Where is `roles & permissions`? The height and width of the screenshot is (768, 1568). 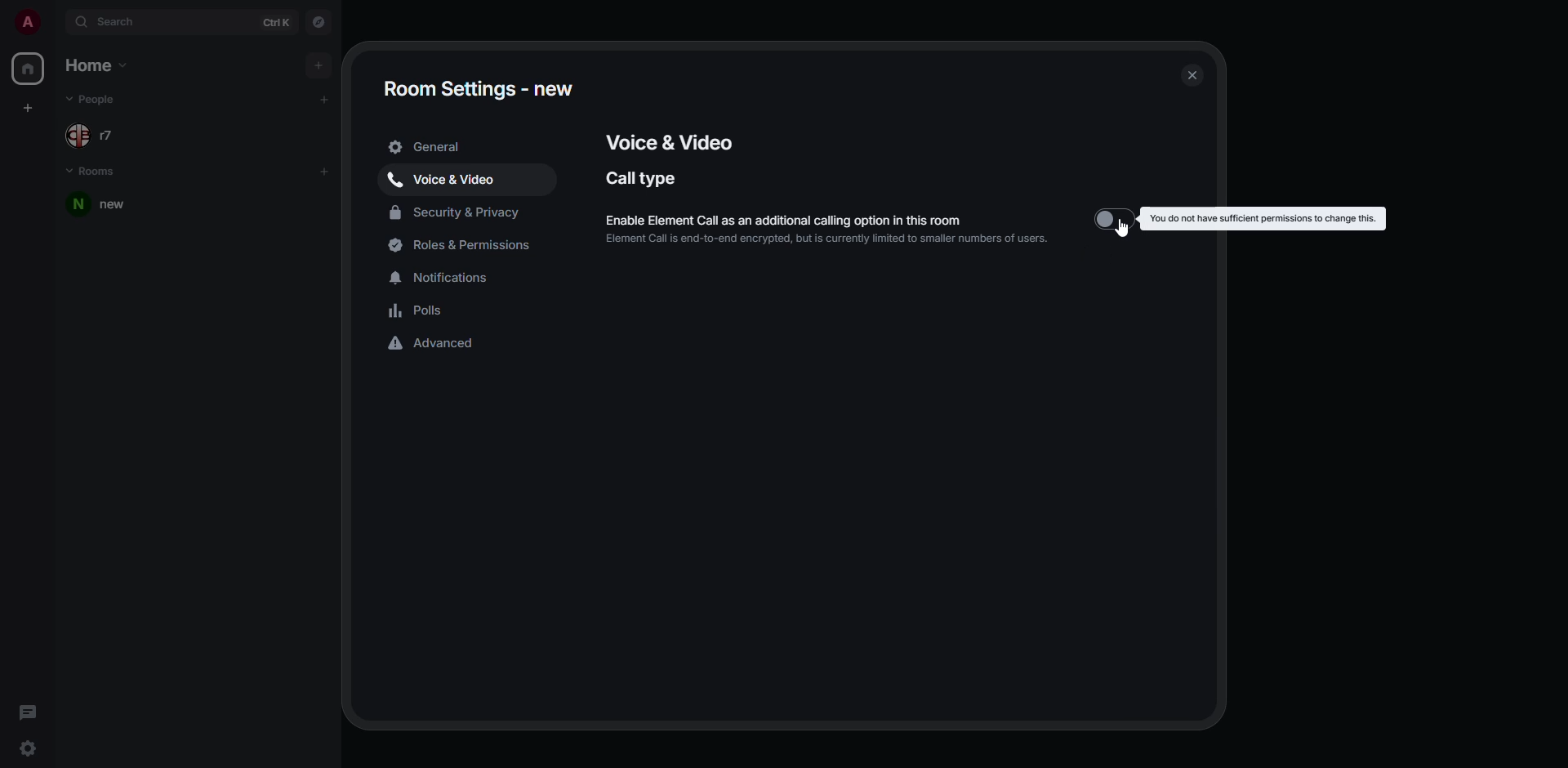 roles & permissions is located at coordinates (467, 245).